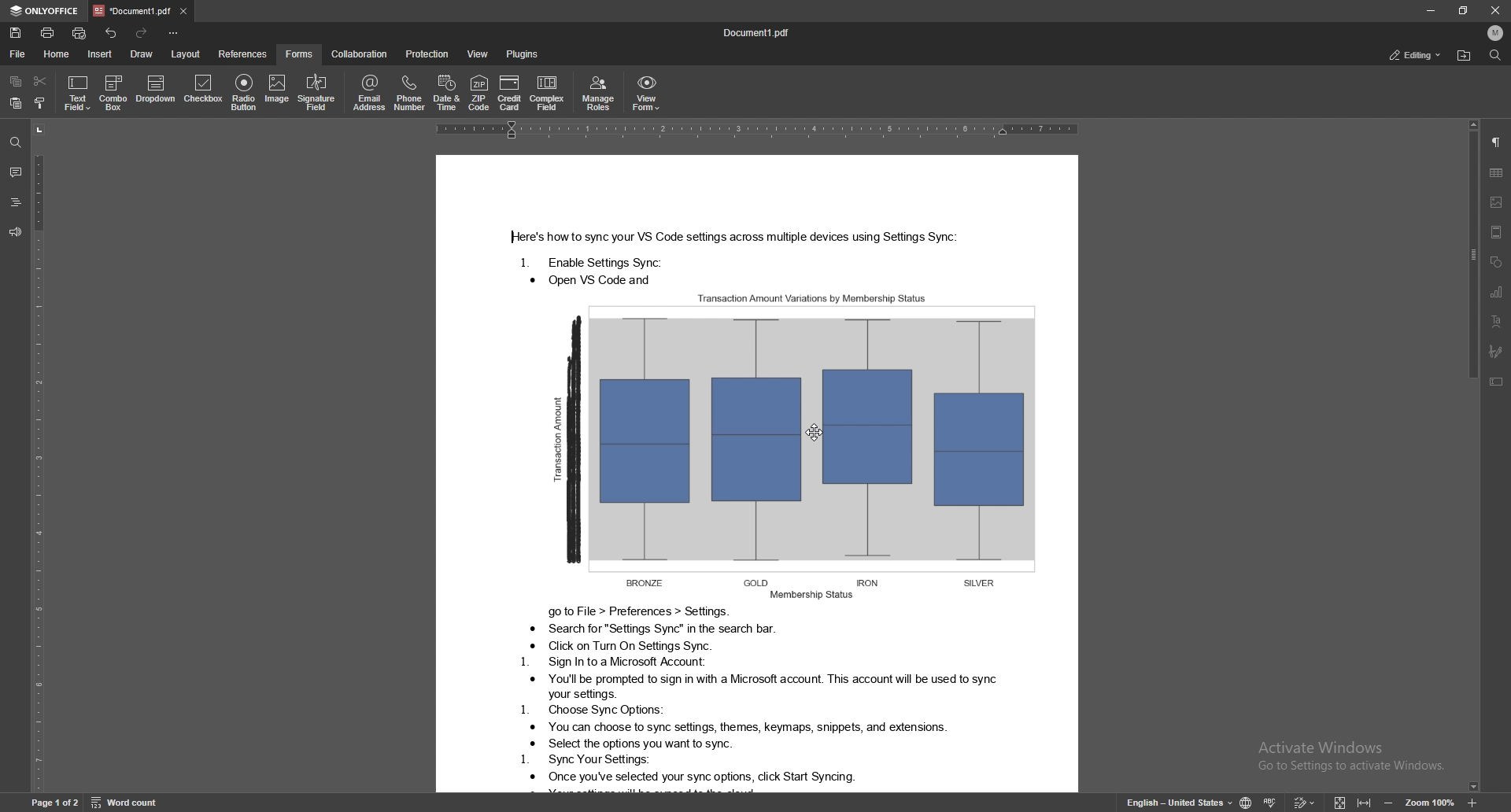  Describe the element at coordinates (648, 92) in the screenshot. I see `view form` at that location.